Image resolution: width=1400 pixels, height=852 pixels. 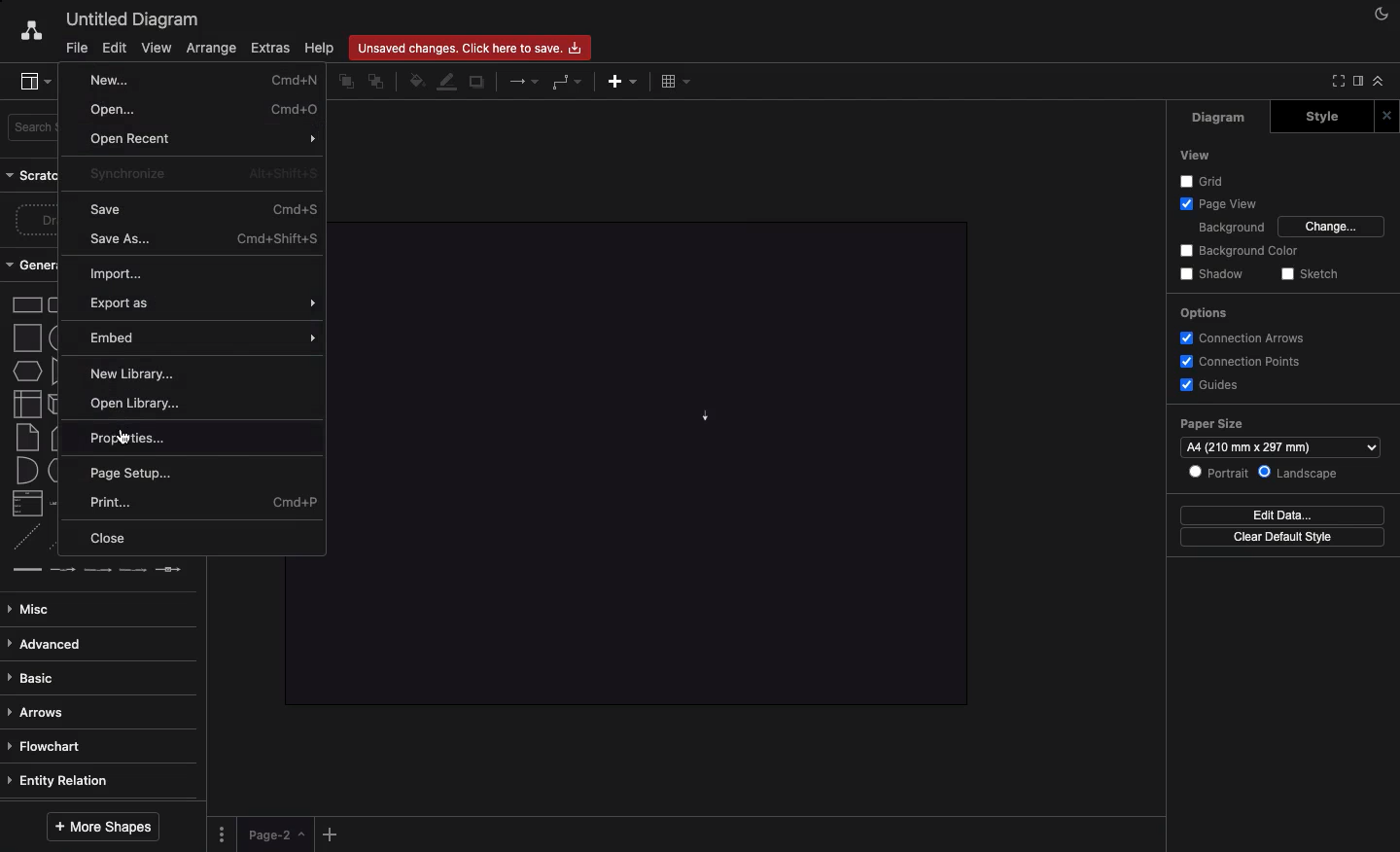 What do you see at coordinates (1308, 275) in the screenshot?
I see `Sketch` at bounding box center [1308, 275].